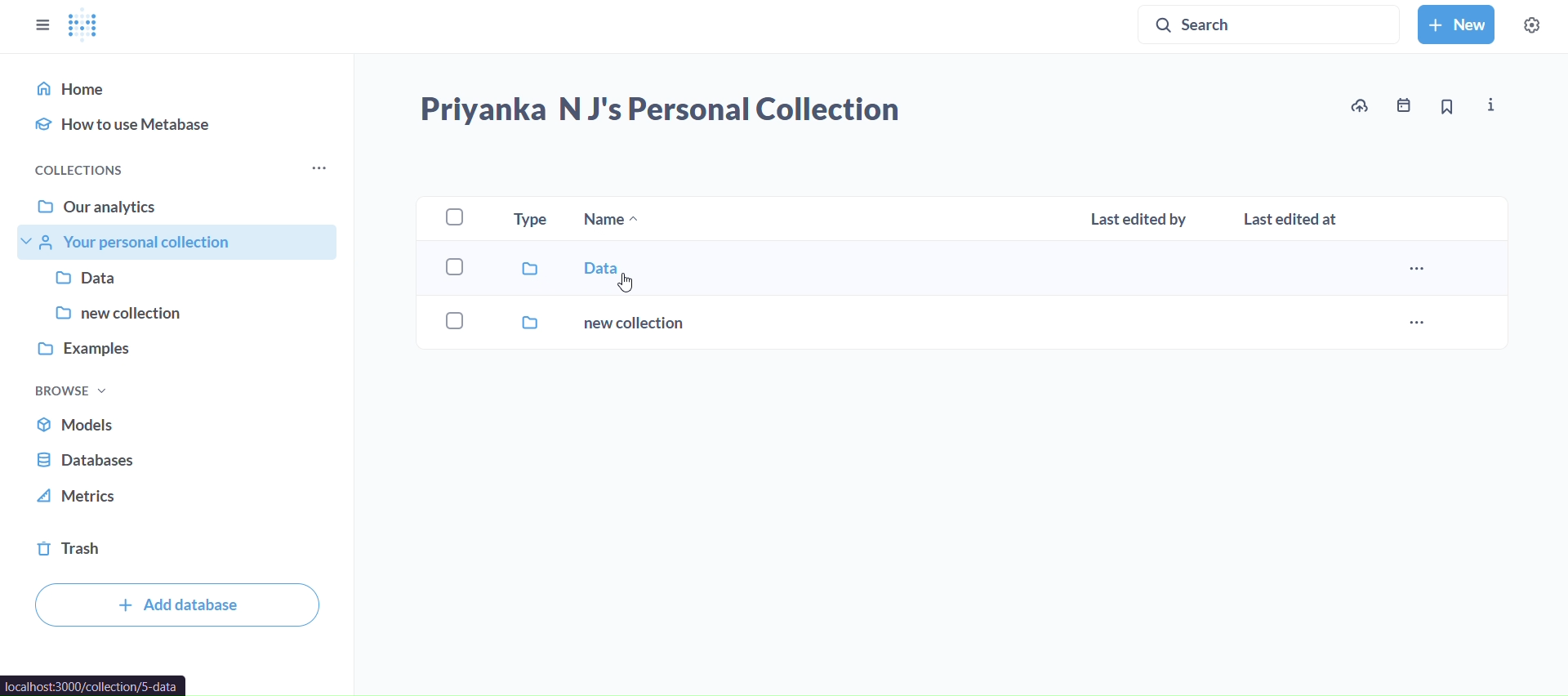  I want to click on settings, so click(1531, 25).